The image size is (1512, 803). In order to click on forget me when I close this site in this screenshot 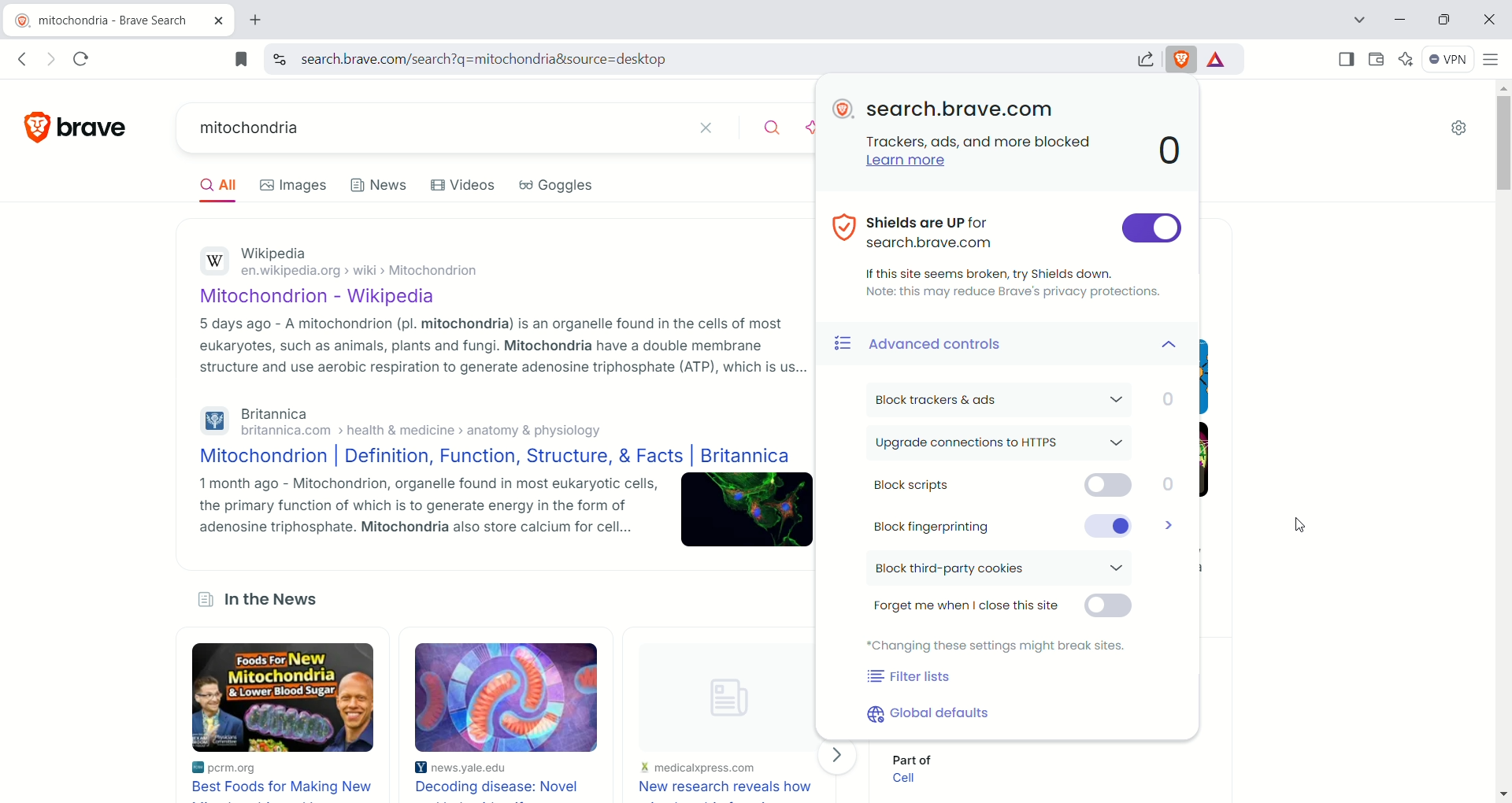, I will do `click(1005, 609)`.